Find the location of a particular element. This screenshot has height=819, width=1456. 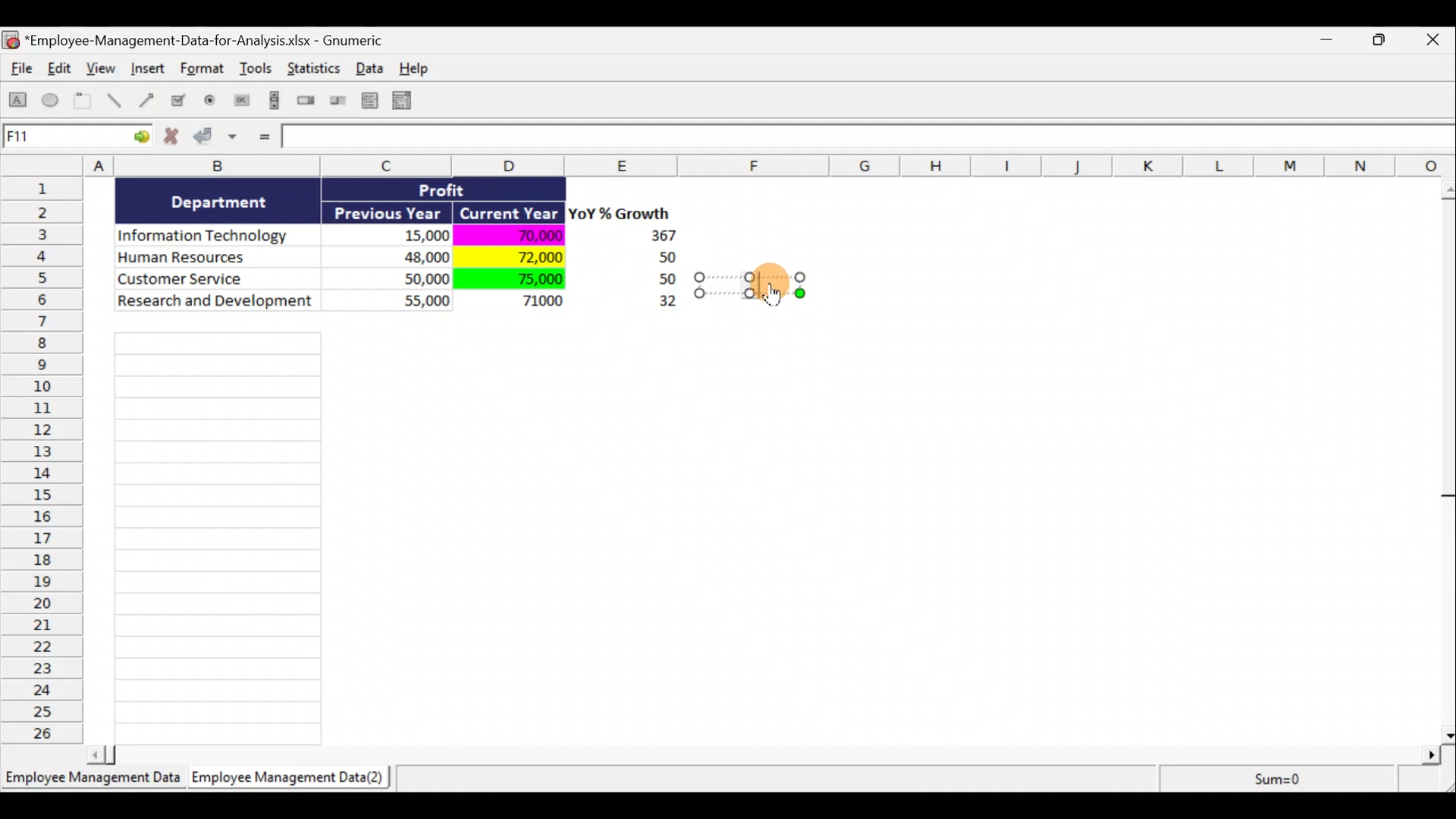

Format is located at coordinates (204, 71).